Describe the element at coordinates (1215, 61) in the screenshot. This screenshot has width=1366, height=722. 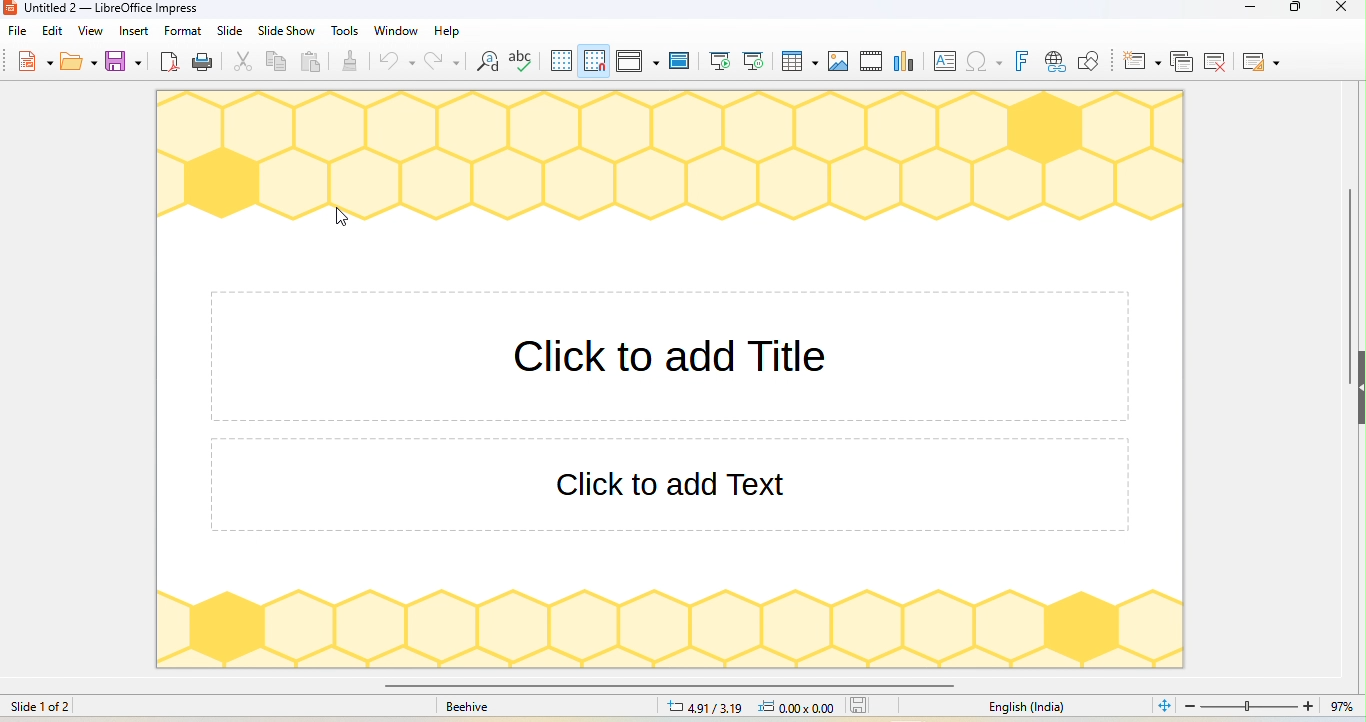
I see `delete slide` at that location.